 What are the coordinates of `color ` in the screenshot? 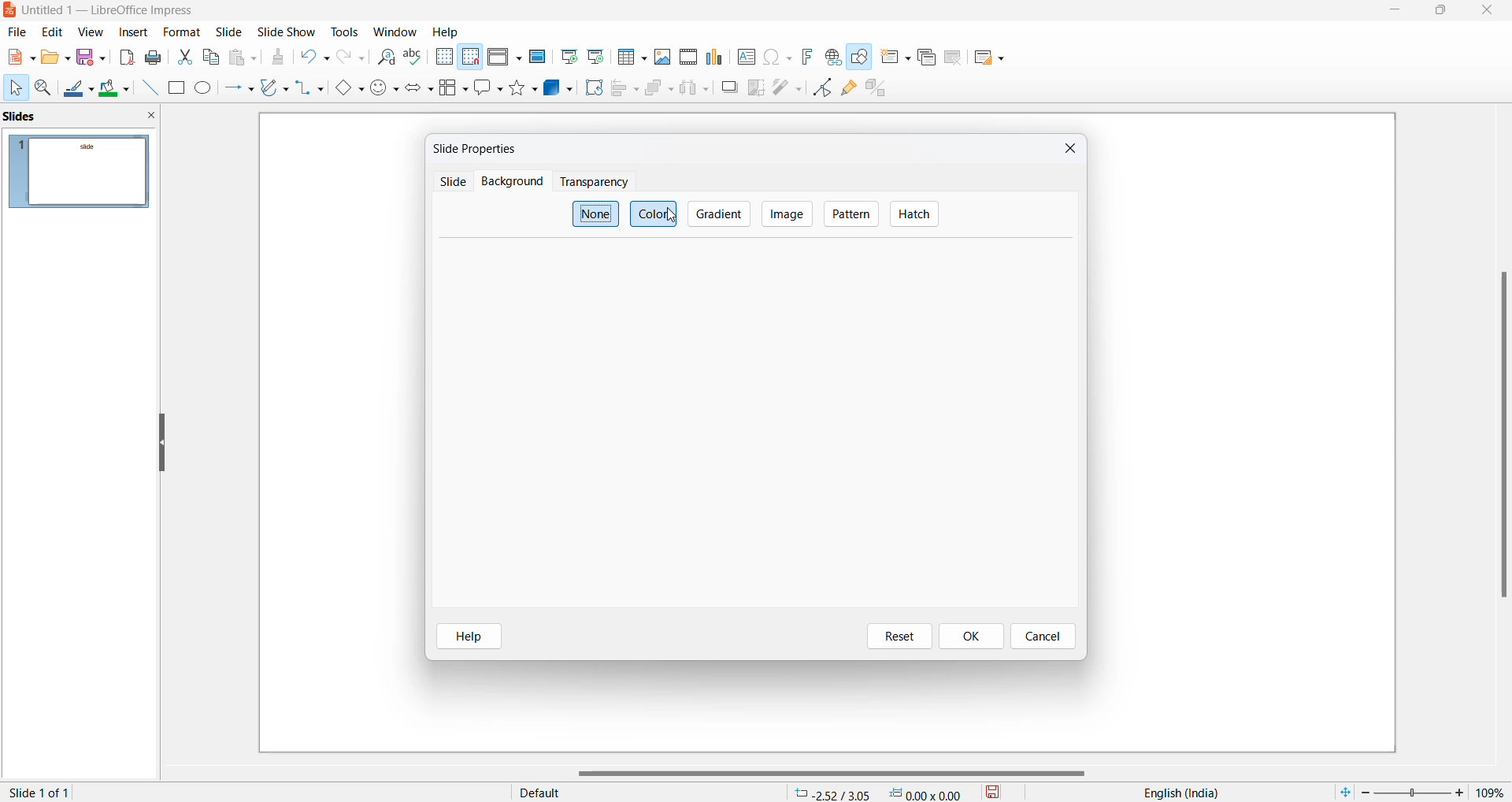 It's located at (655, 213).